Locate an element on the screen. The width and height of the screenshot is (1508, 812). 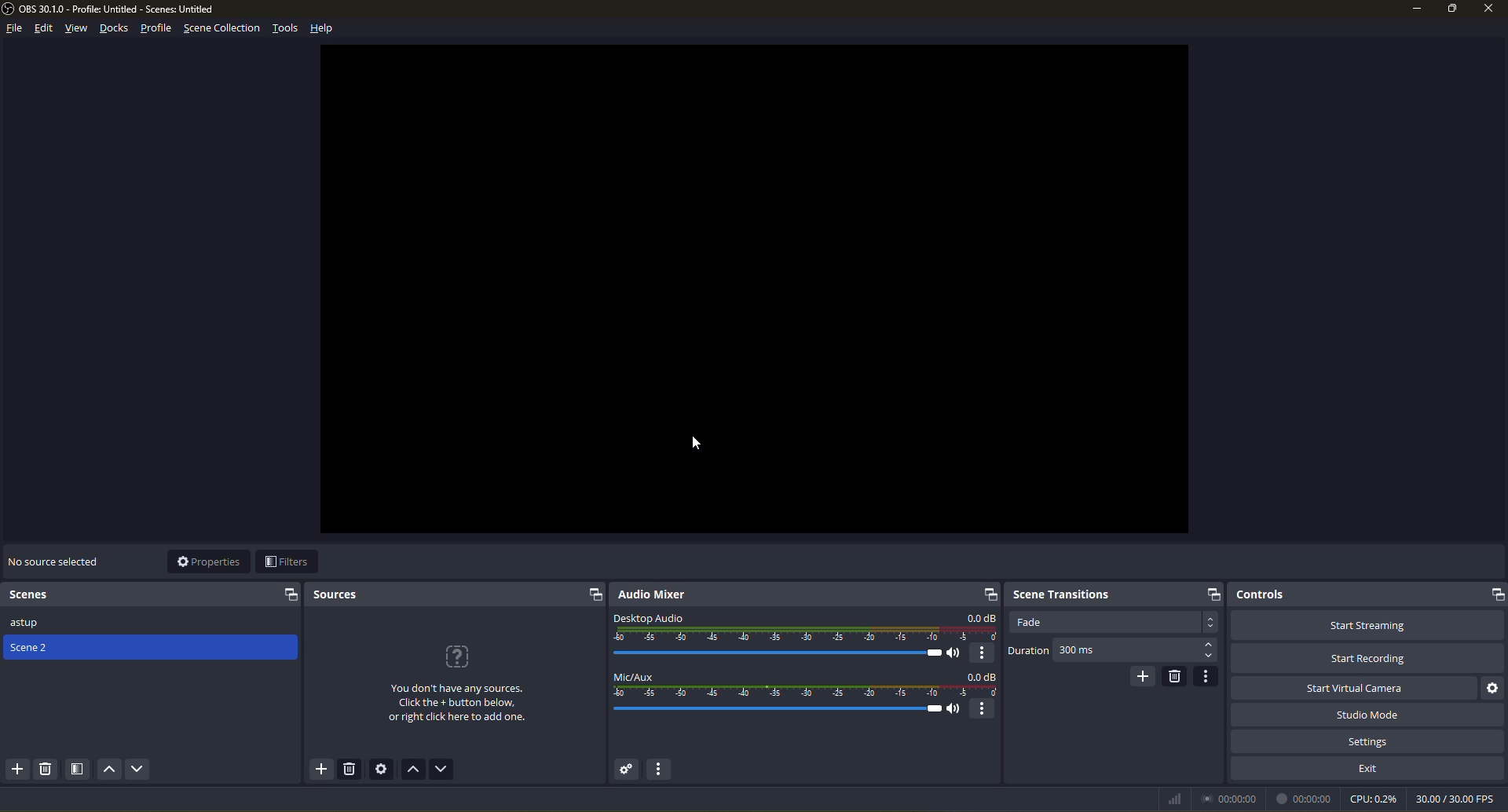
move source down is located at coordinates (441, 769).